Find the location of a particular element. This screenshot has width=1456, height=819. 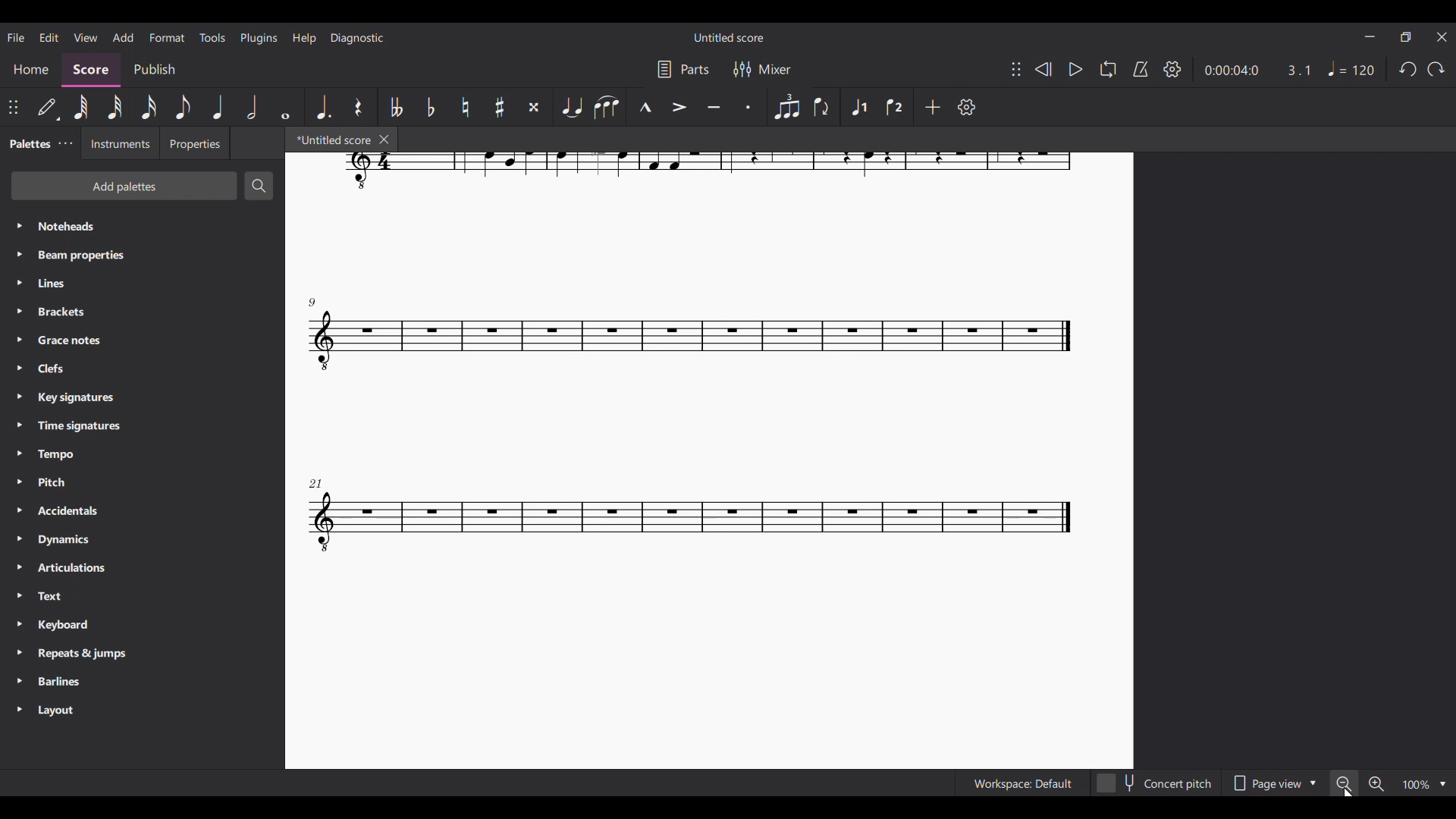

Score, current section highlighted is located at coordinates (91, 70).